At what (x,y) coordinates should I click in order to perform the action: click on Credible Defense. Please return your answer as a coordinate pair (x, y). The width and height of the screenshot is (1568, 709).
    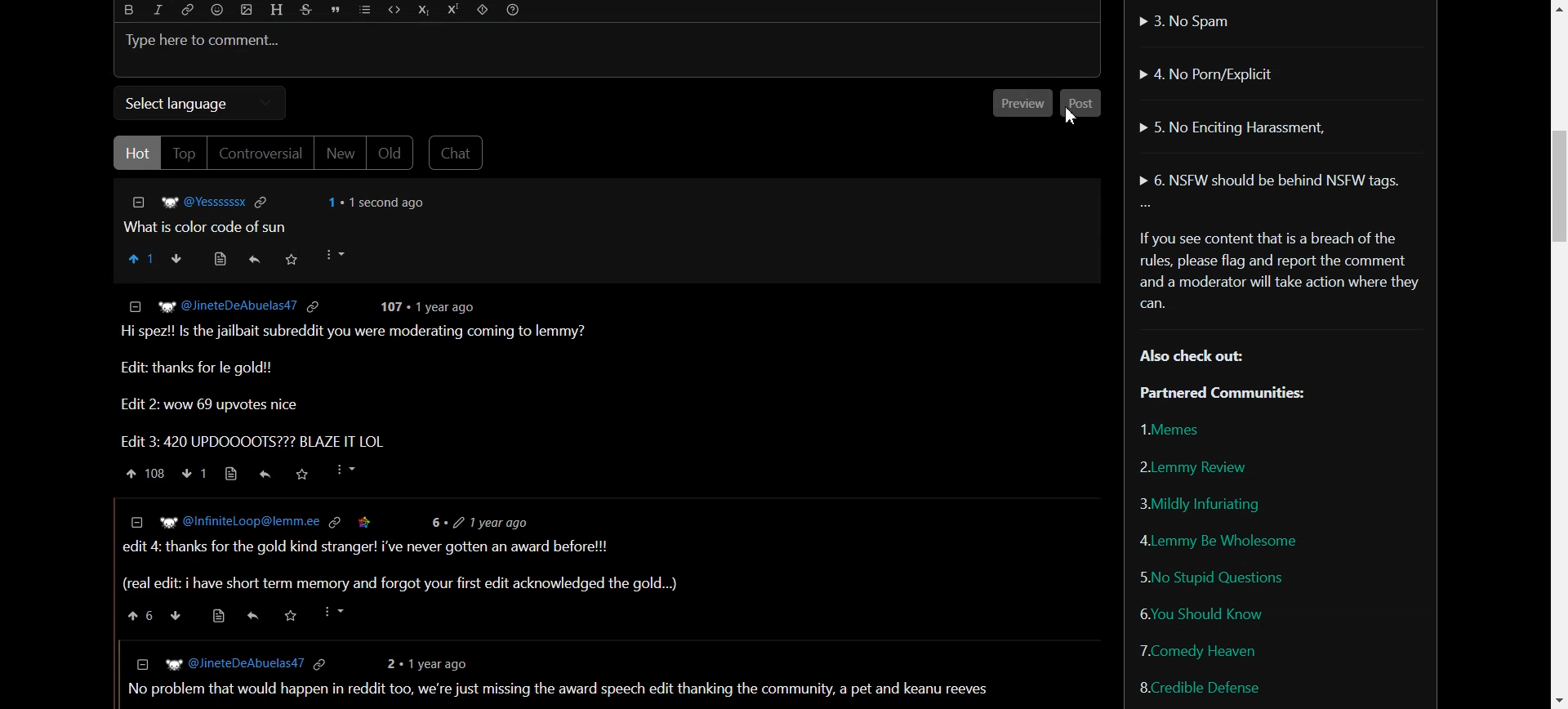
    Looking at the image, I should click on (1199, 687).